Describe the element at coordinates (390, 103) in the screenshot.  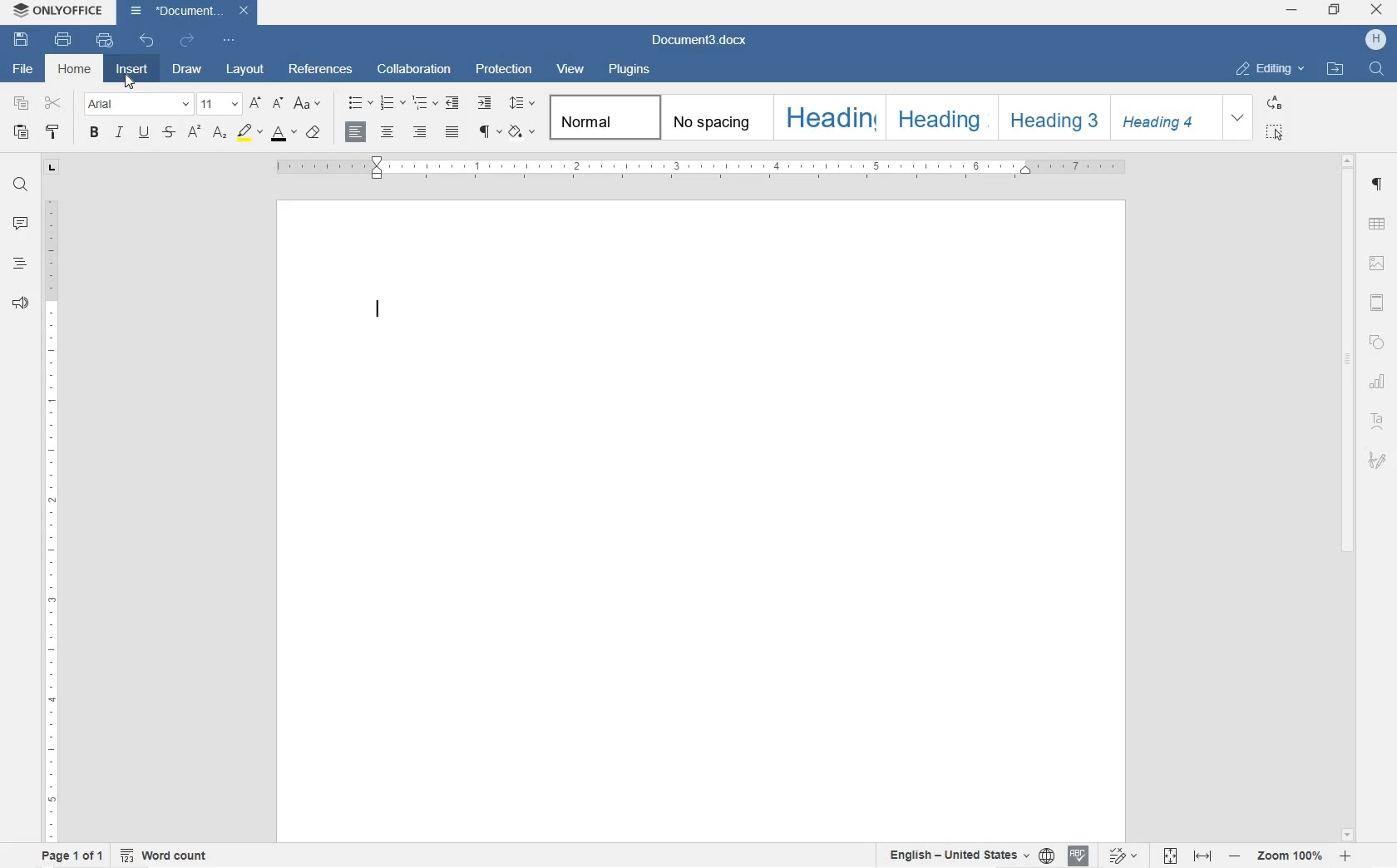
I see `NUMBERING` at that location.